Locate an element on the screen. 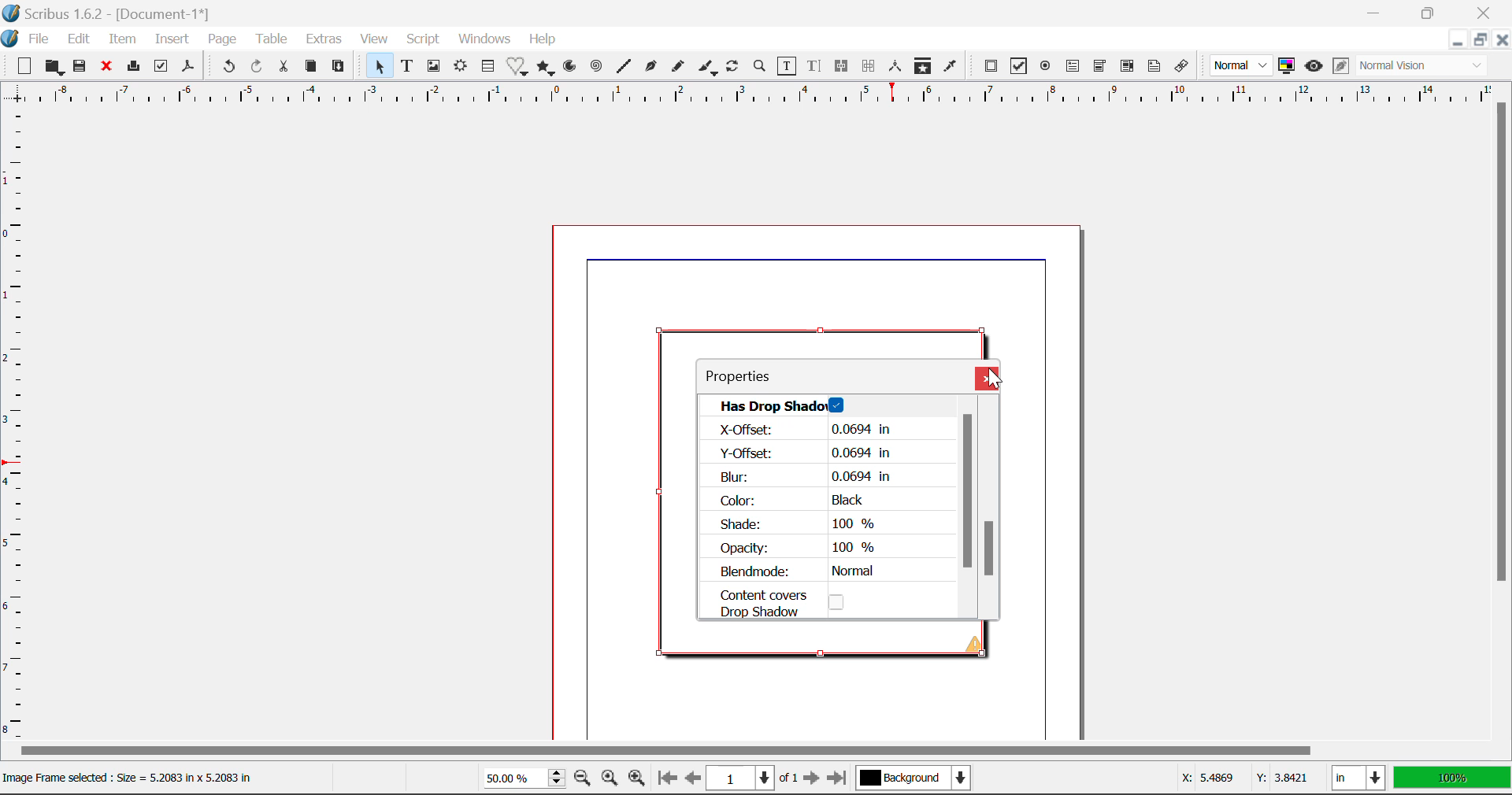 The image size is (1512, 795). Restore Down is located at coordinates (1380, 11).